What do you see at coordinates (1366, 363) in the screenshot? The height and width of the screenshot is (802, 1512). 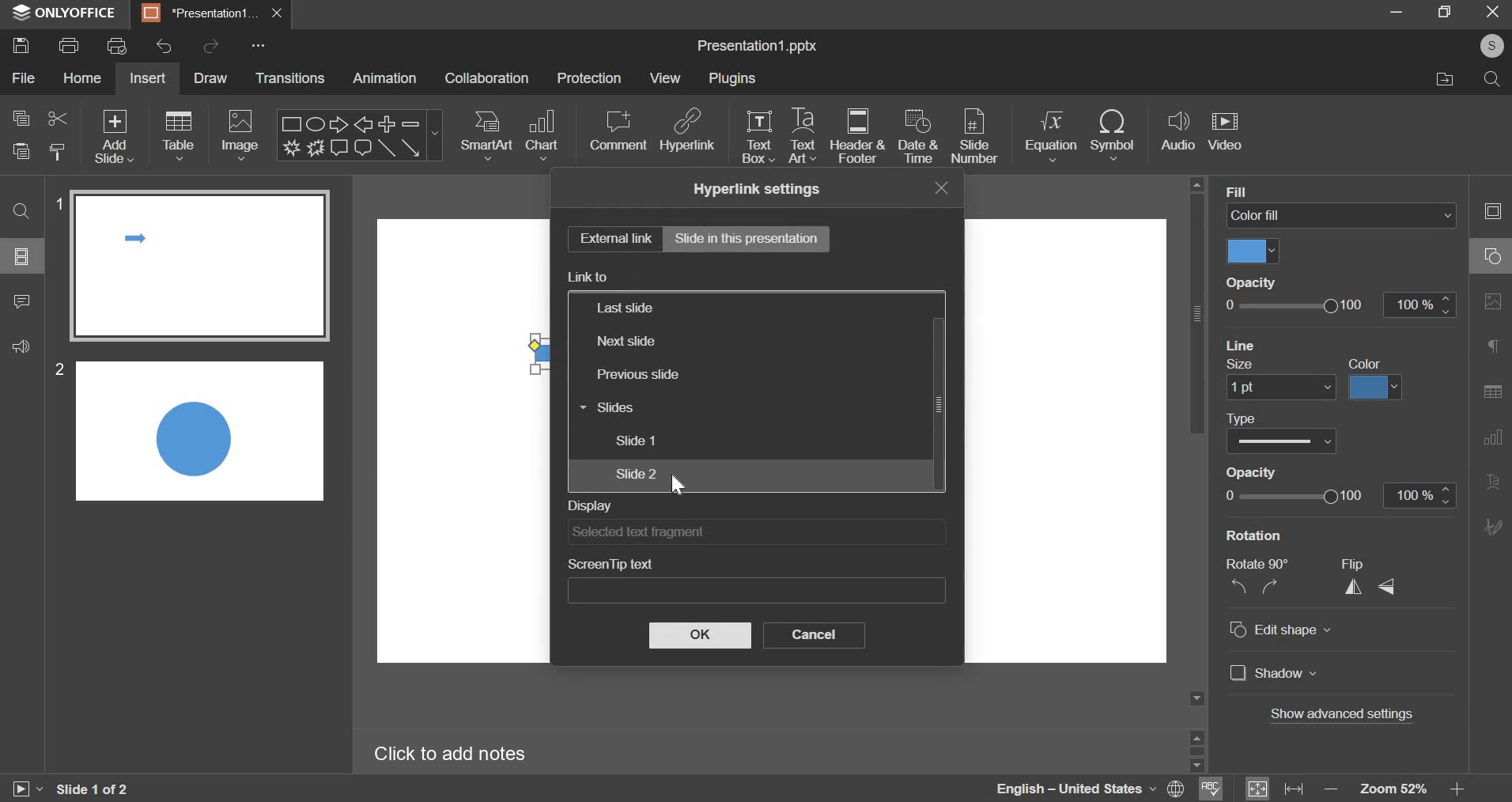 I see `Color` at bounding box center [1366, 363].